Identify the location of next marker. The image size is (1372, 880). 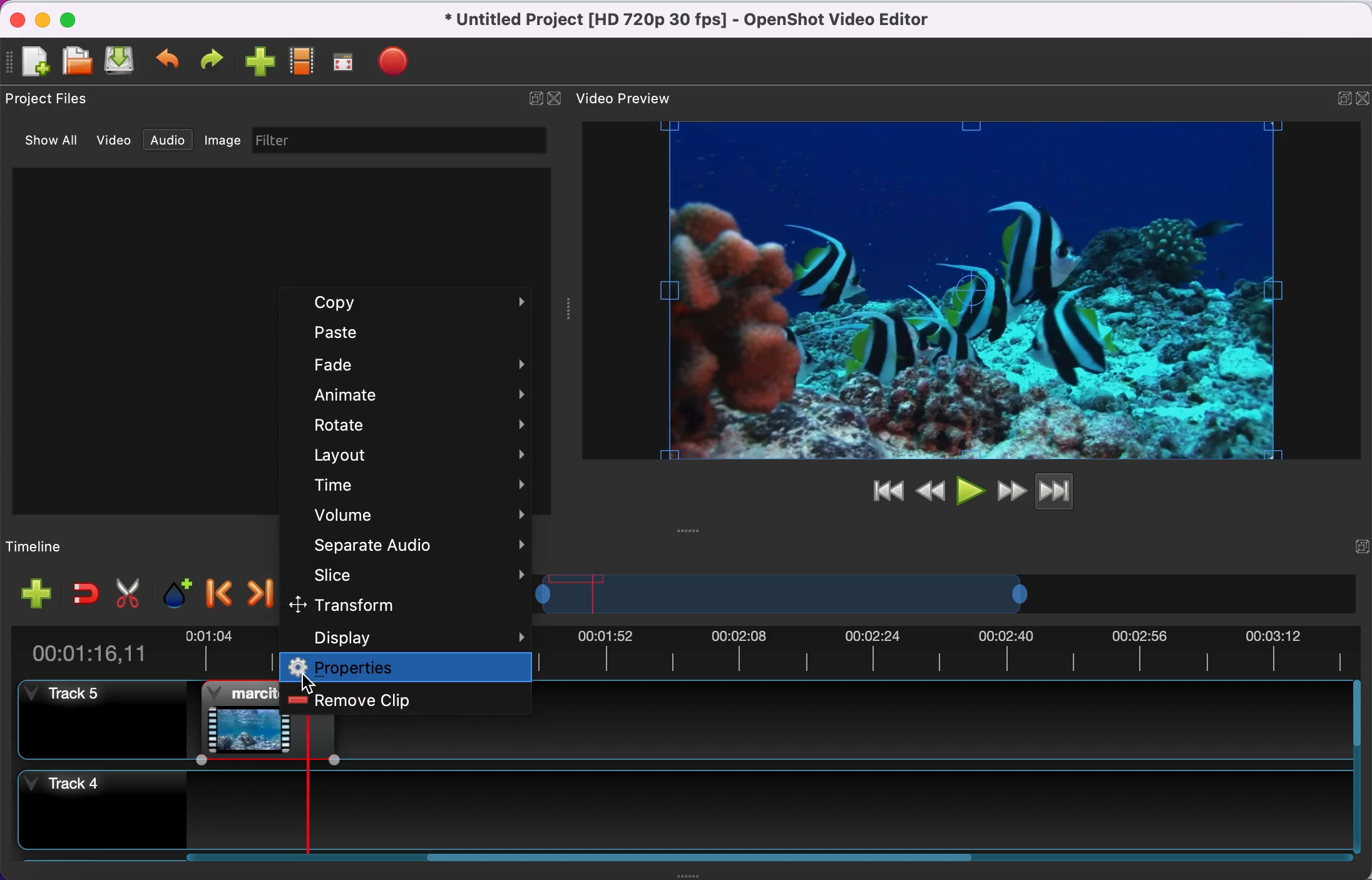
(259, 591).